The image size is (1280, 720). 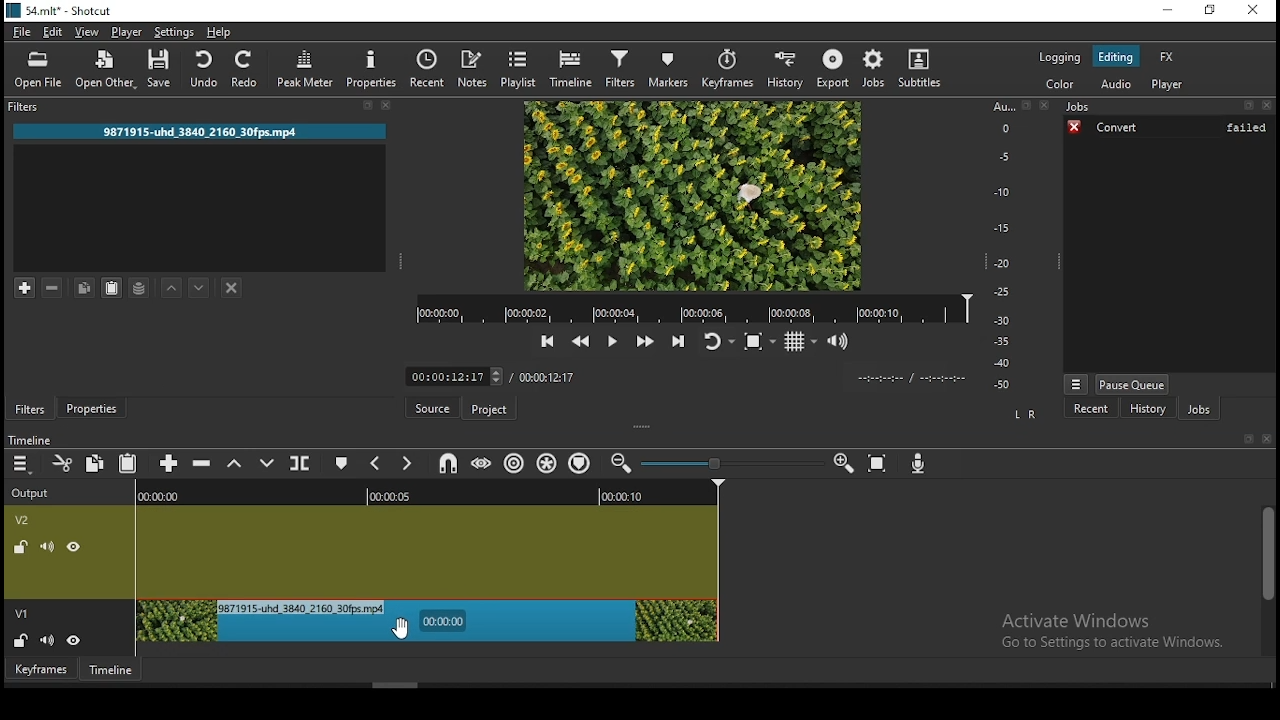 What do you see at coordinates (718, 343) in the screenshot?
I see `toggle player looping` at bounding box center [718, 343].